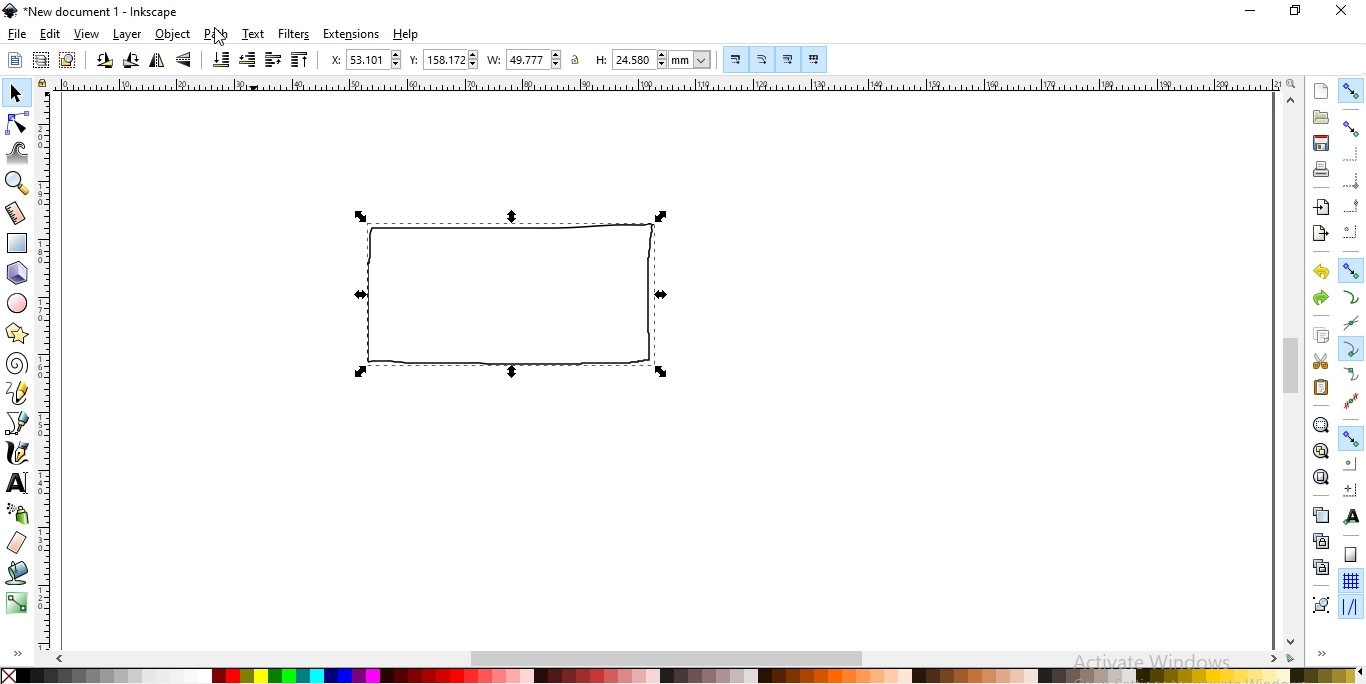 This screenshot has height=684, width=1366. What do you see at coordinates (1319, 541) in the screenshot?
I see `create a clone` at bounding box center [1319, 541].